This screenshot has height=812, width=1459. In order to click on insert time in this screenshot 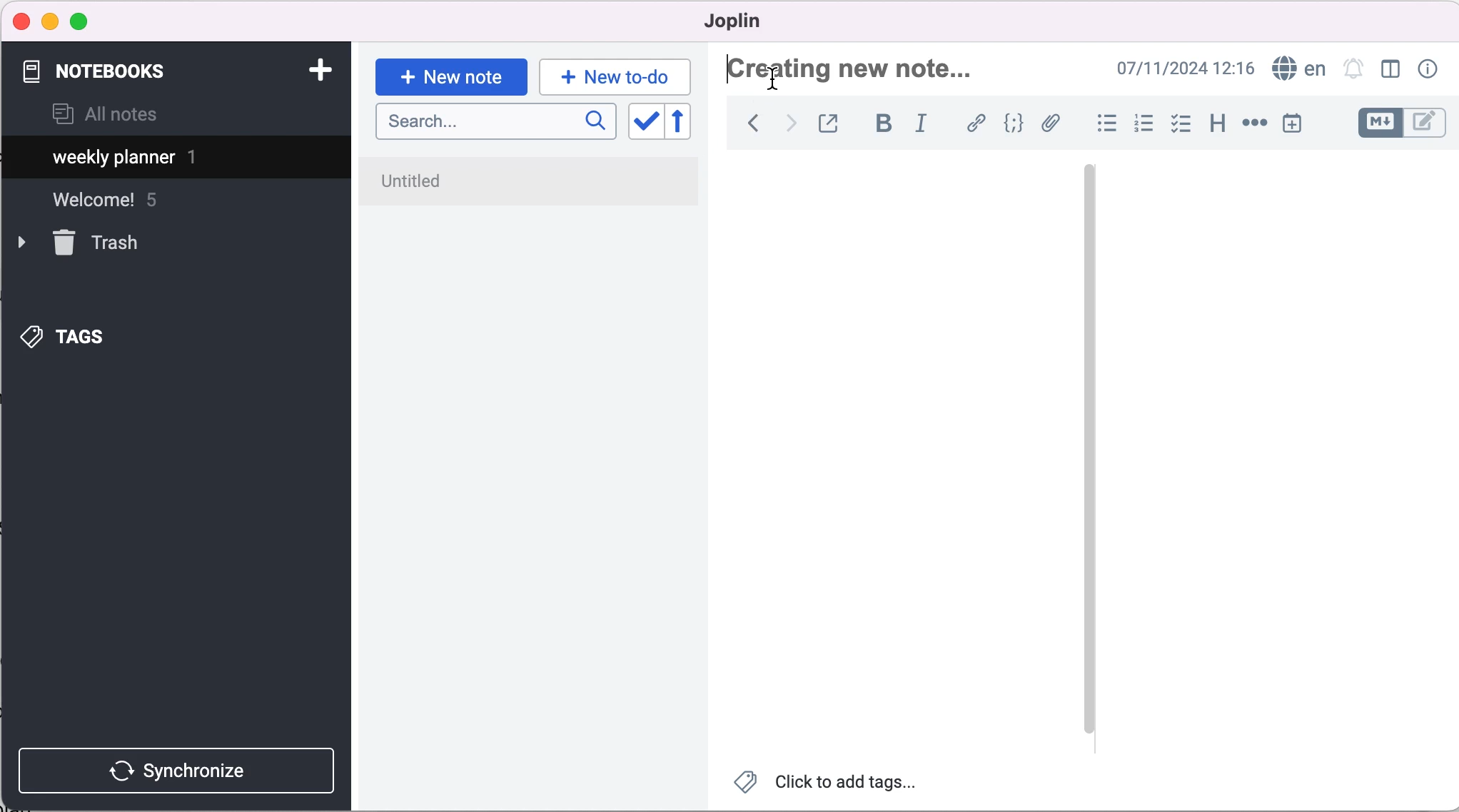, I will do `click(1295, 123)`.